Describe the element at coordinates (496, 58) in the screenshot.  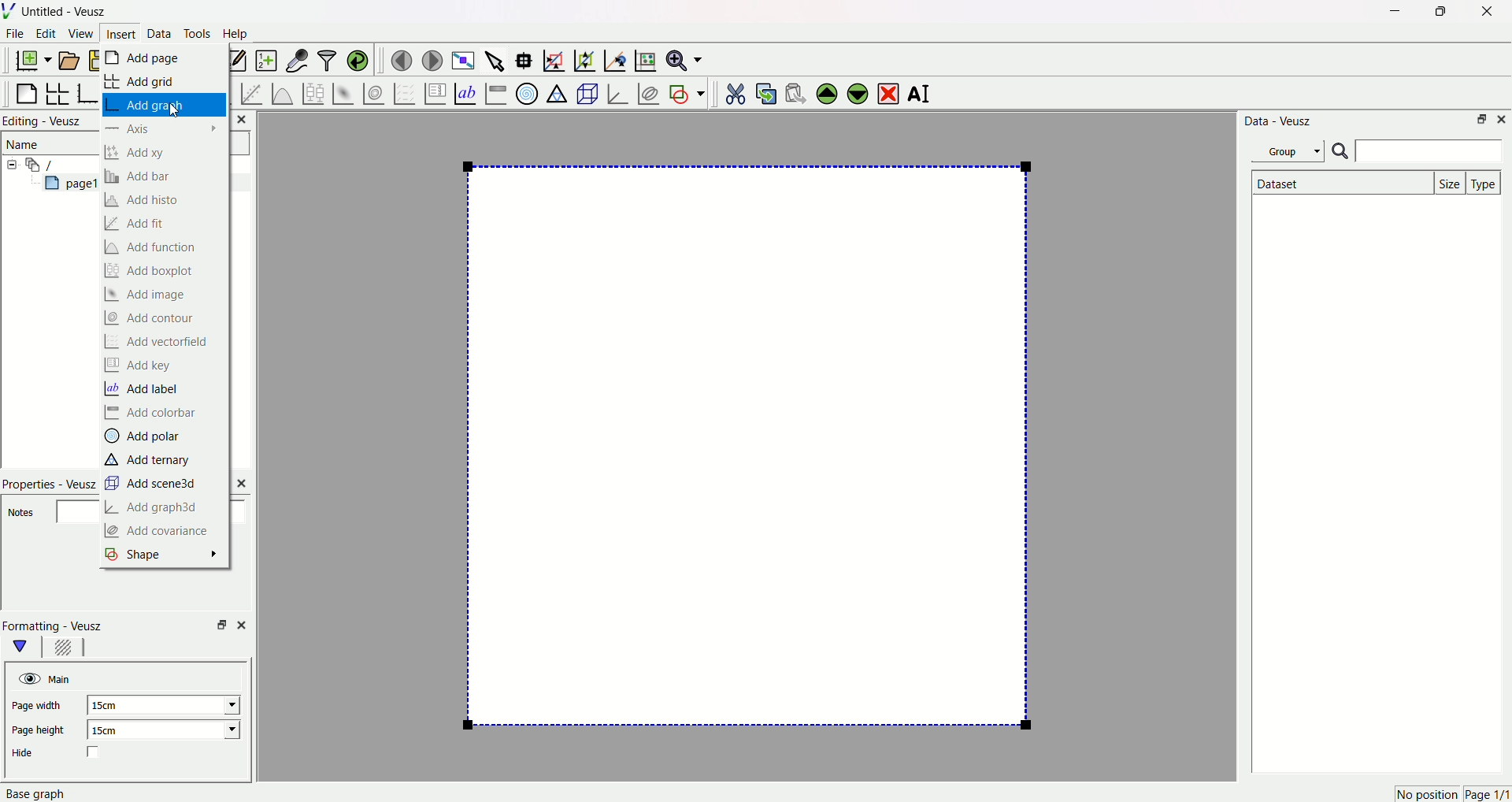
I see `select items` at that location.